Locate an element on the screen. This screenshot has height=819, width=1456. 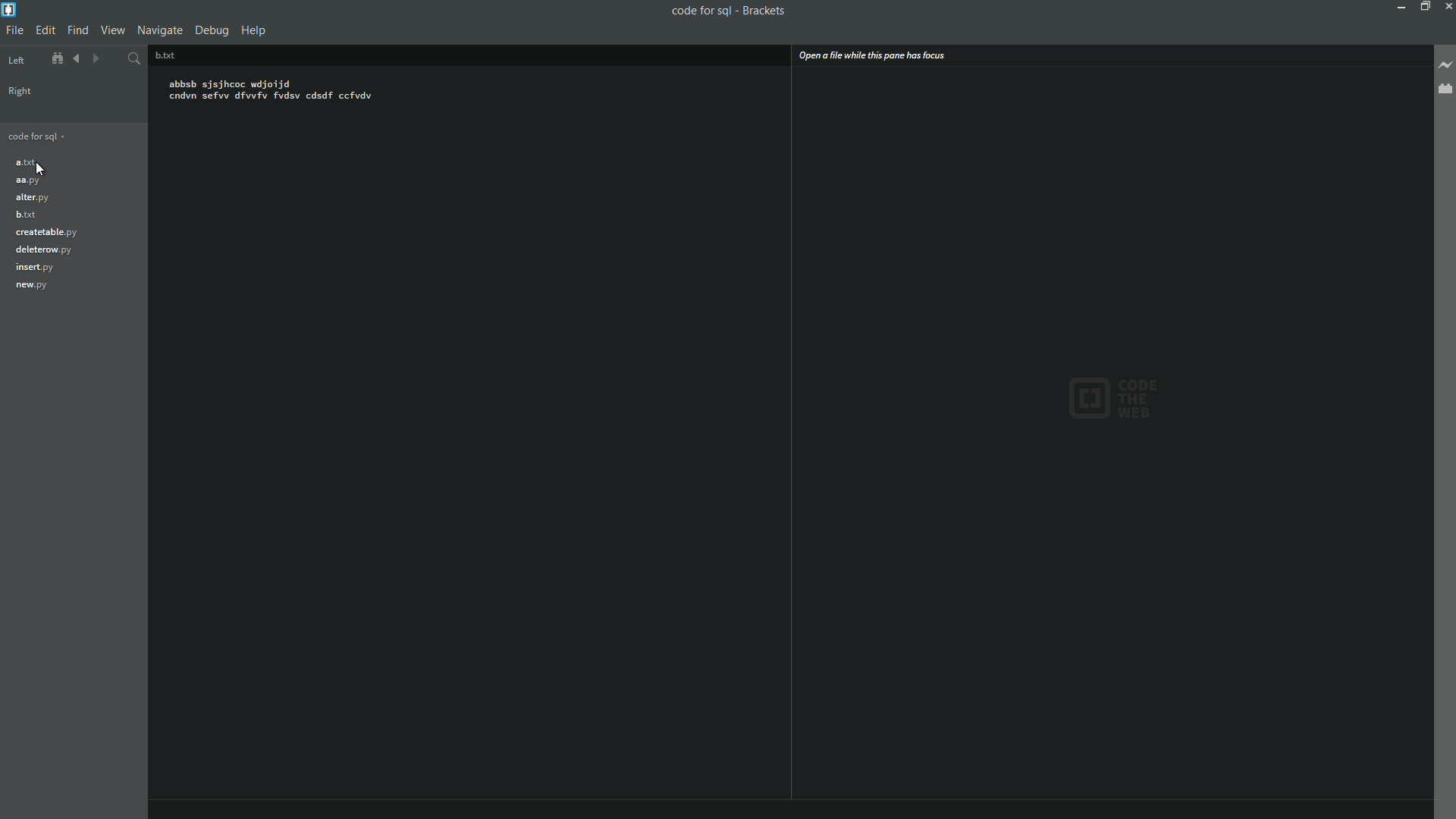
Right is located at coordinates (20, 91).